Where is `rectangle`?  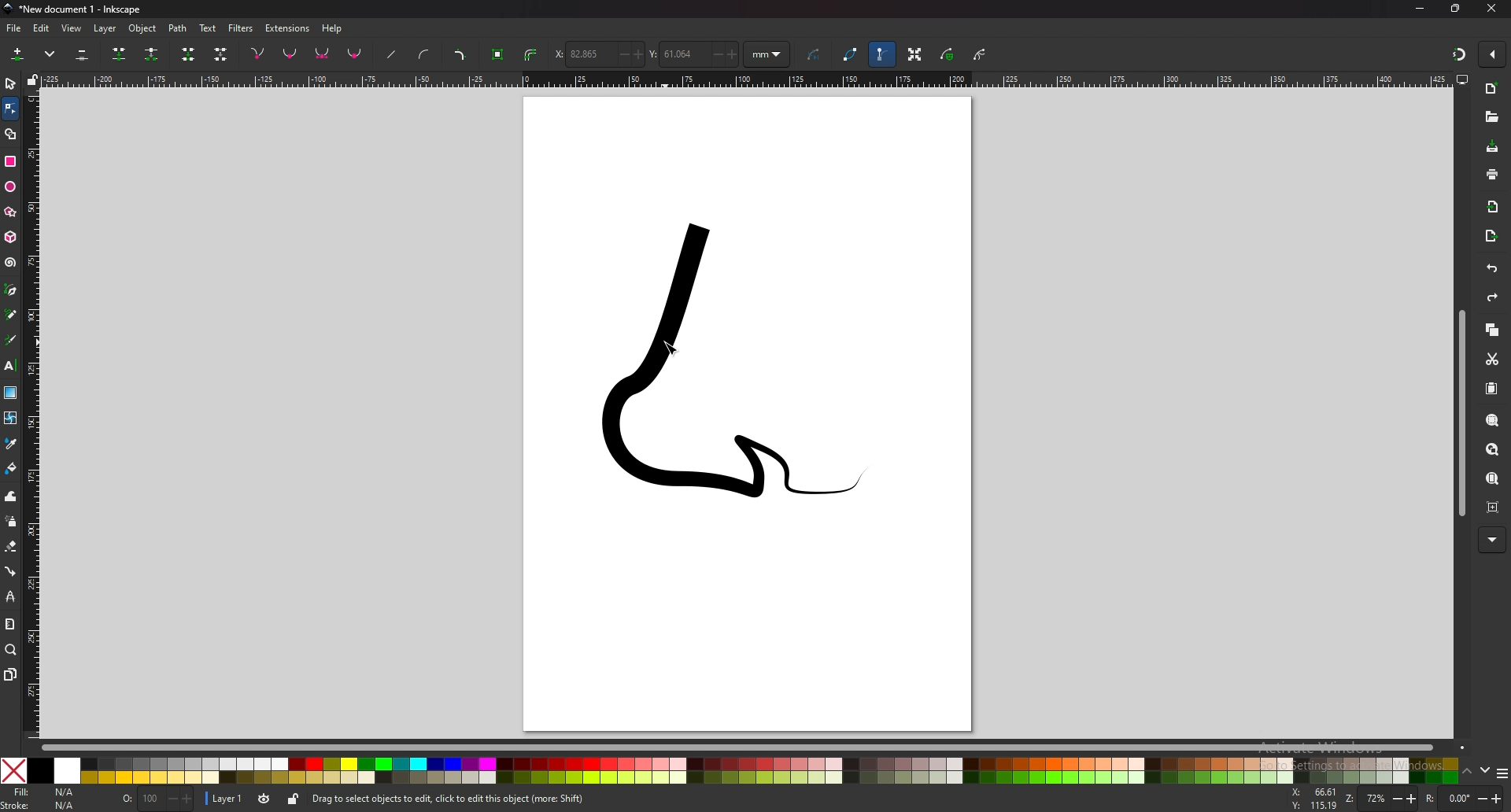 rectangle is located at coordinates (9, 161).